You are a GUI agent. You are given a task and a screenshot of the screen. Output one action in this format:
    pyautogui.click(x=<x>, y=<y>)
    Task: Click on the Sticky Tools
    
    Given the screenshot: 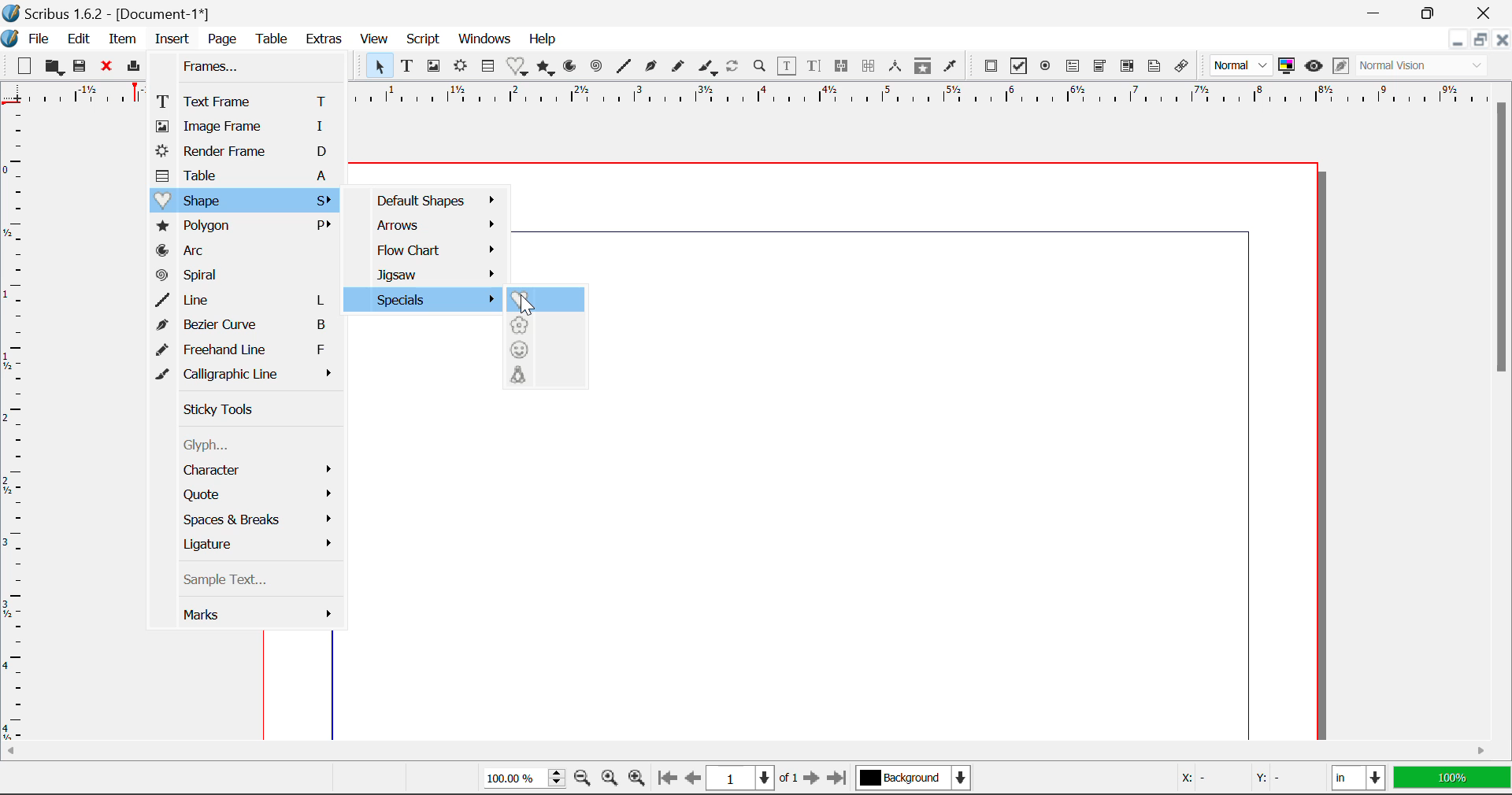 What is the action you would take?
    pyautogui.click(x=247, y=409)
    